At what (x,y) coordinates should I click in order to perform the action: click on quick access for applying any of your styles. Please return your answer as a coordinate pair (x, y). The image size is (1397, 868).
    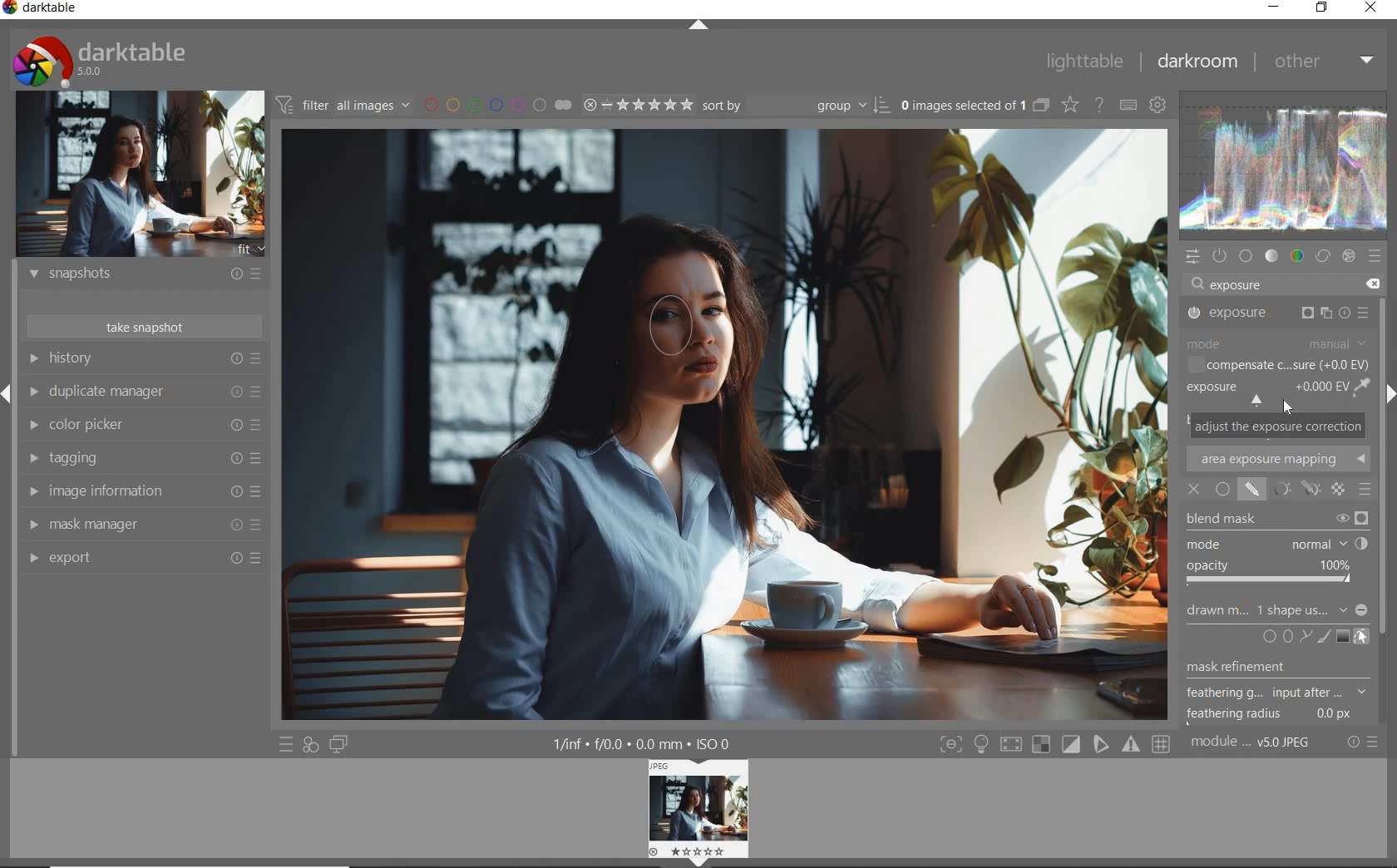
    Looking at the image, I should click on (309, 746).